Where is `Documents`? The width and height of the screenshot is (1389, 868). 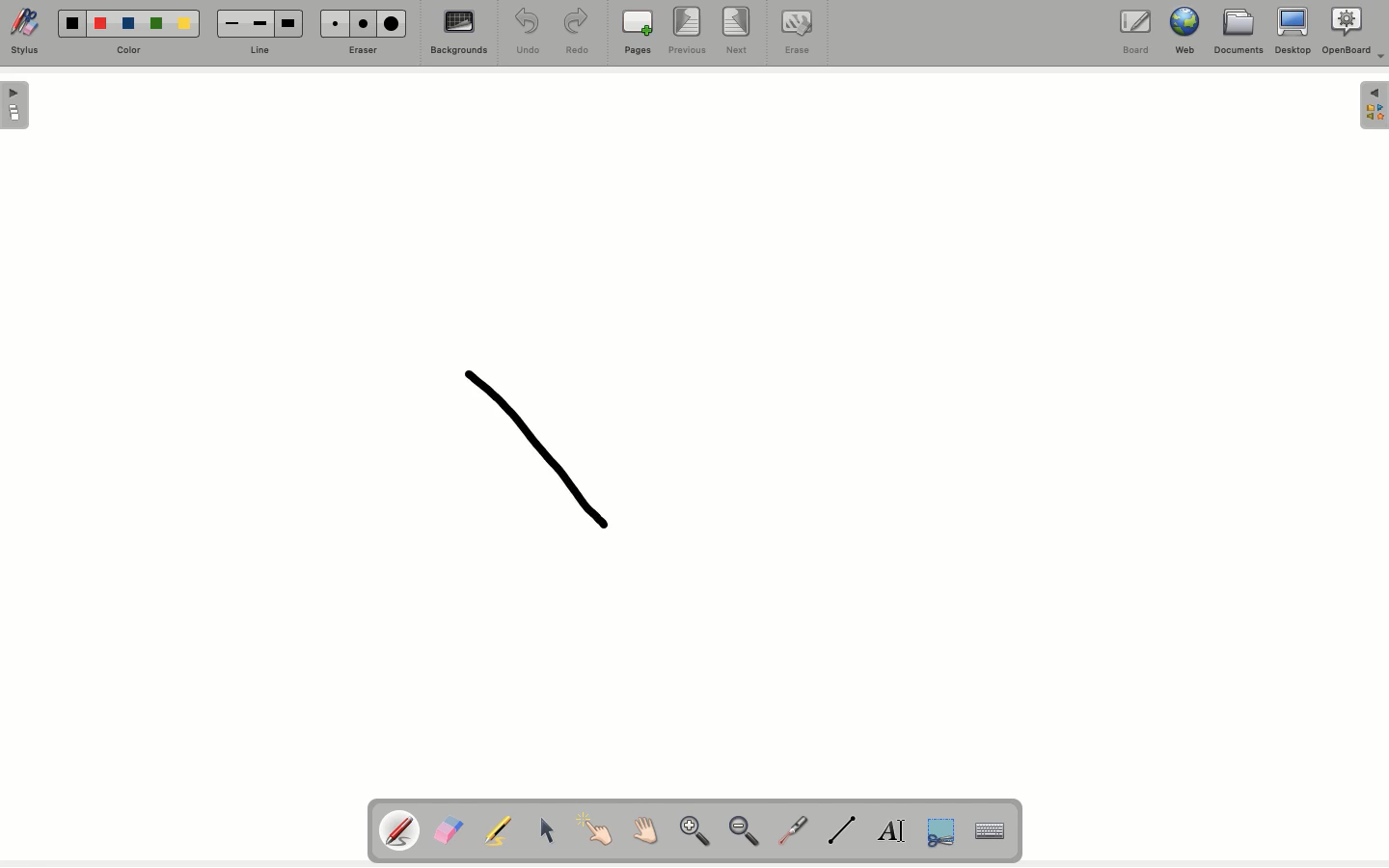 Documents is located at coordinates (1238, 35).